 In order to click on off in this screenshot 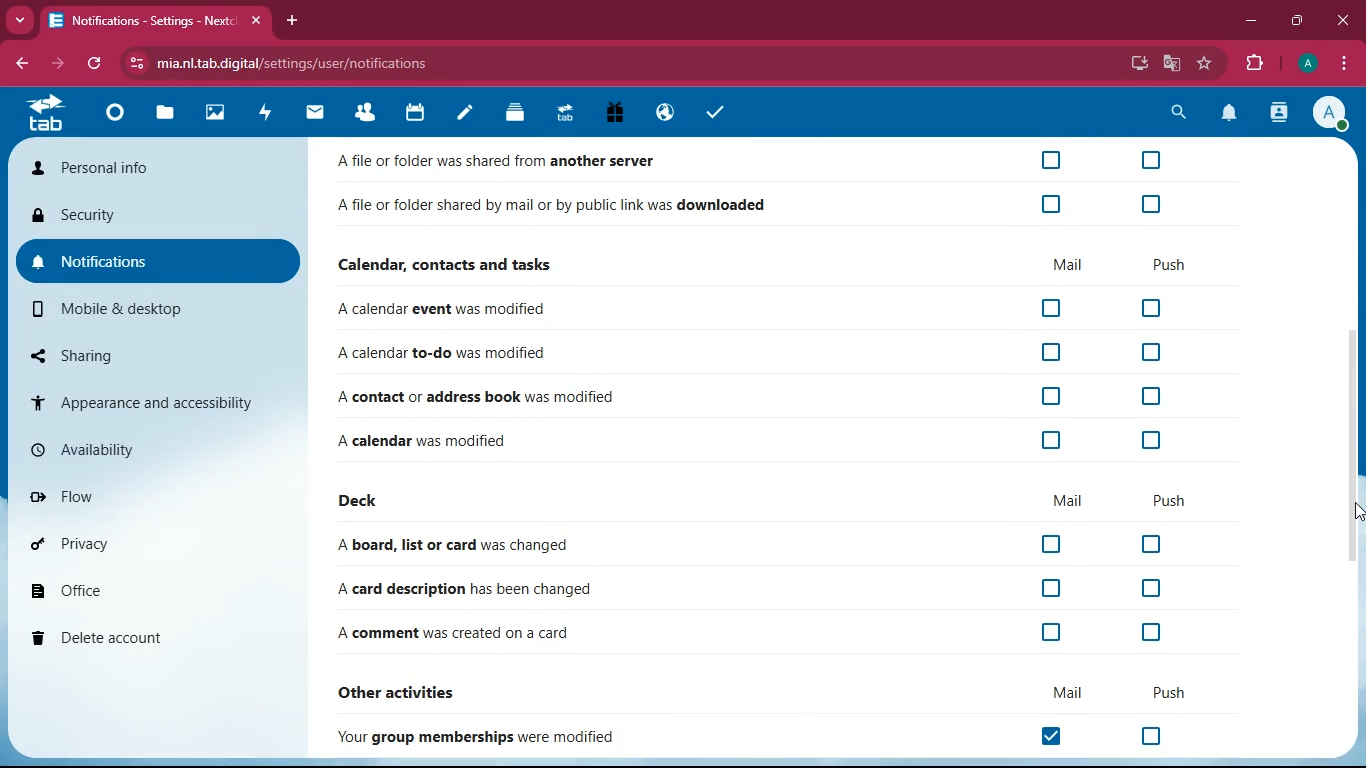, I will do `click(1054, 544)`.